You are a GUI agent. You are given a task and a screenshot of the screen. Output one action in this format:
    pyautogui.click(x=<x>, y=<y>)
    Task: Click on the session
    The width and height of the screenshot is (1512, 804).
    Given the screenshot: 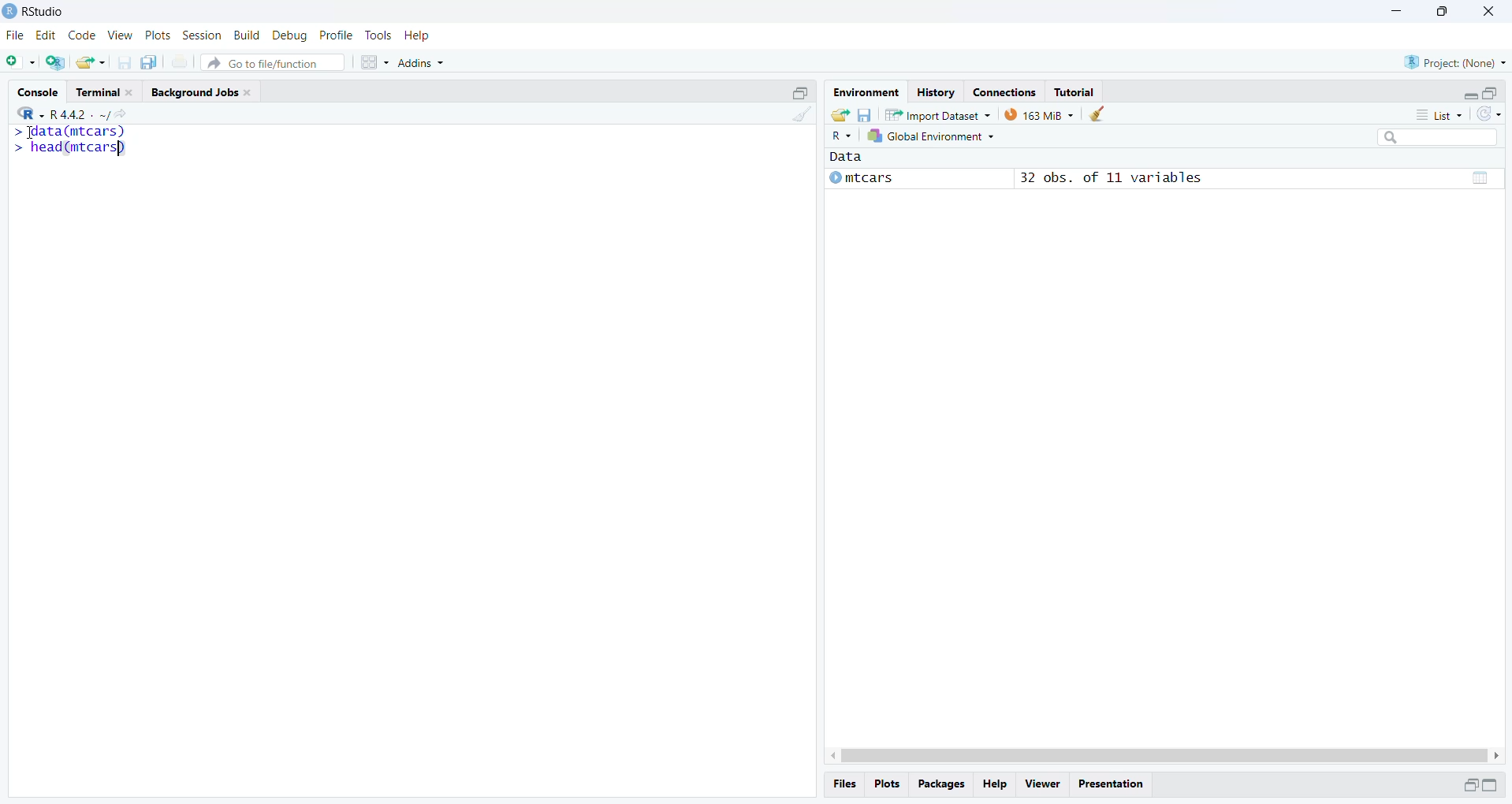 What is the action you would take?
    pyautogui.click(x=202, y=35)
    